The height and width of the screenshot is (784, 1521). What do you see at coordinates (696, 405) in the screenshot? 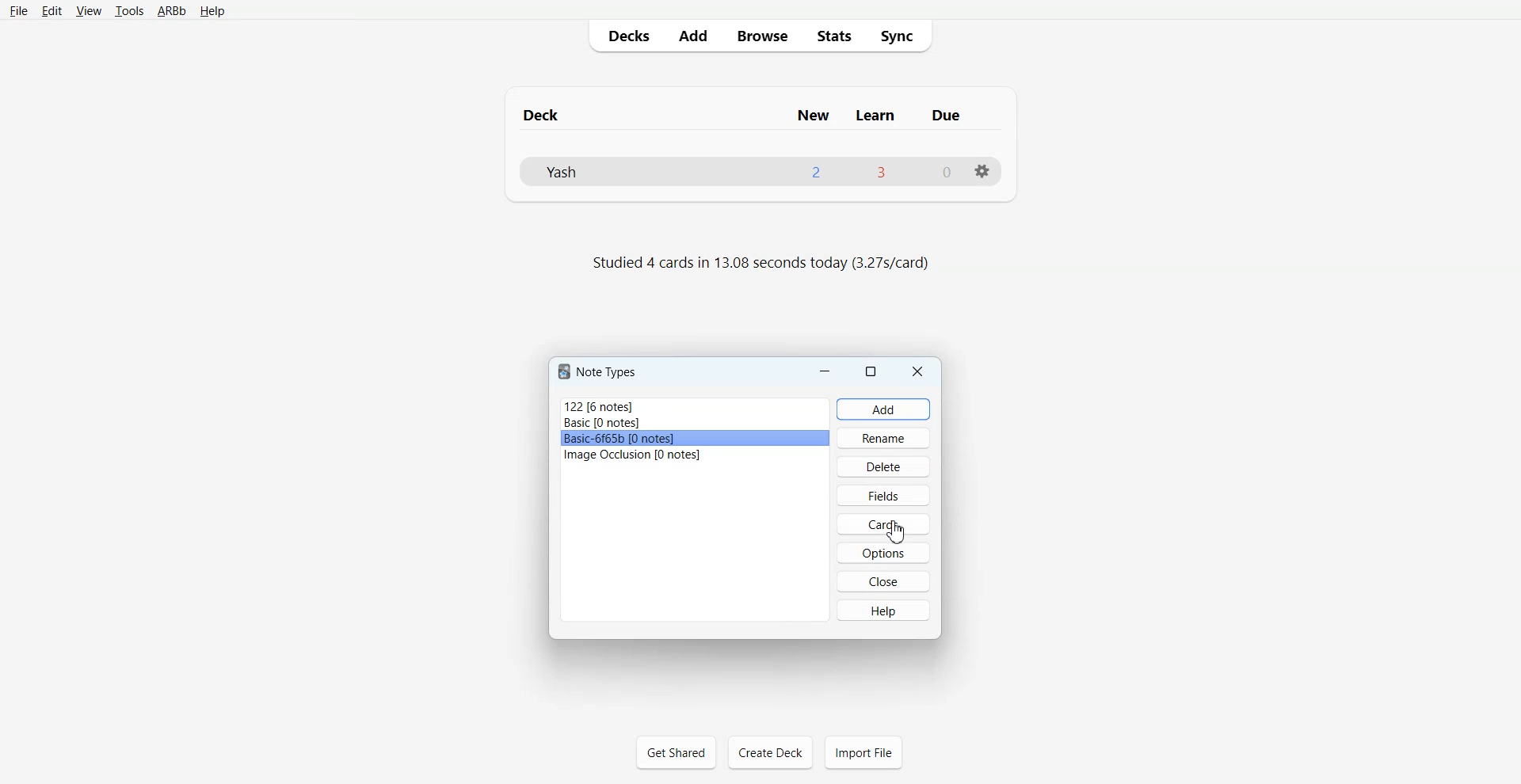
I see `File` at bounding box center [696, 405].